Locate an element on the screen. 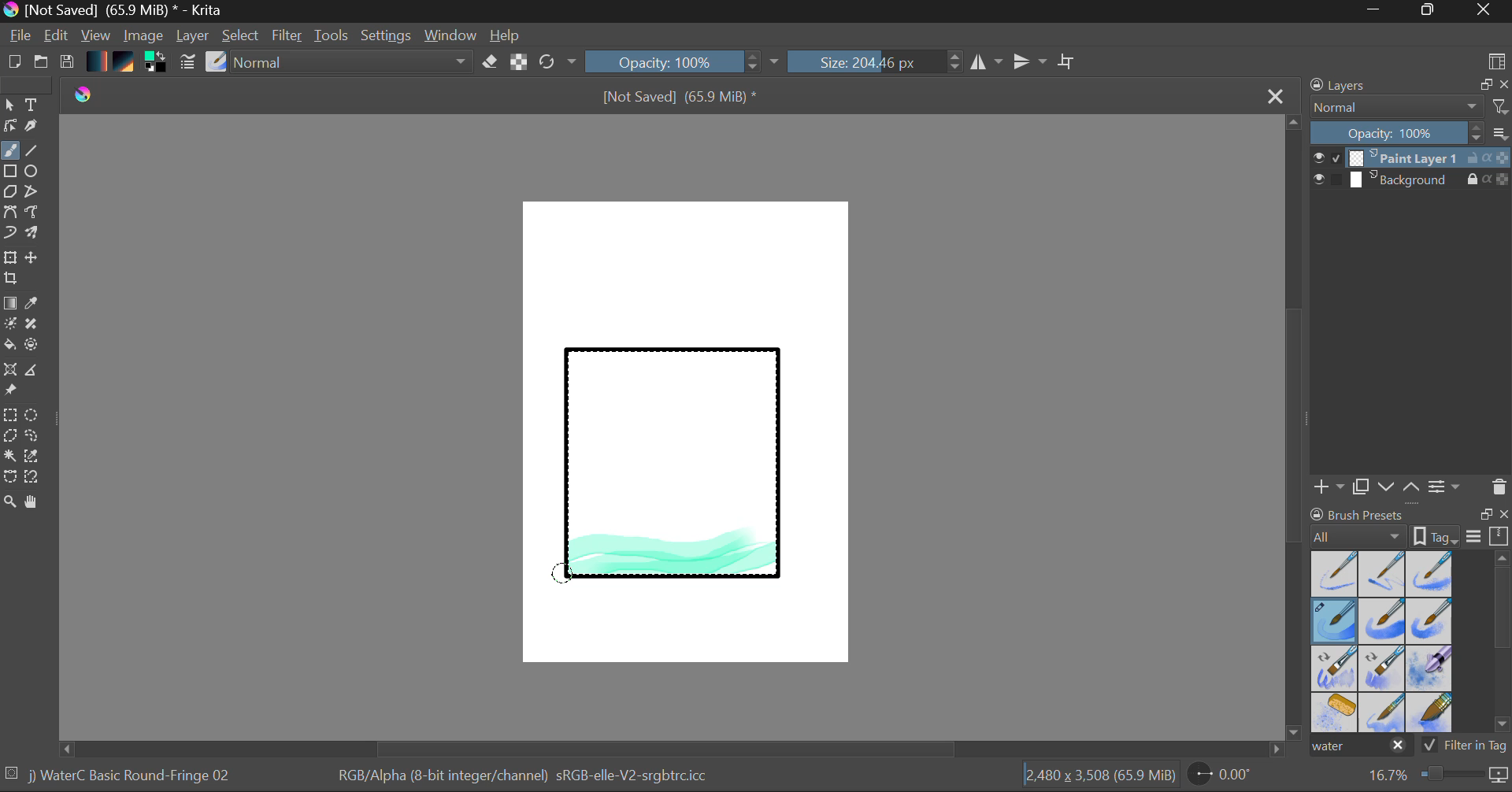 The width and height of the screenshot is (1512, 792). Scroll Bar is located at coordinates (673, 749).